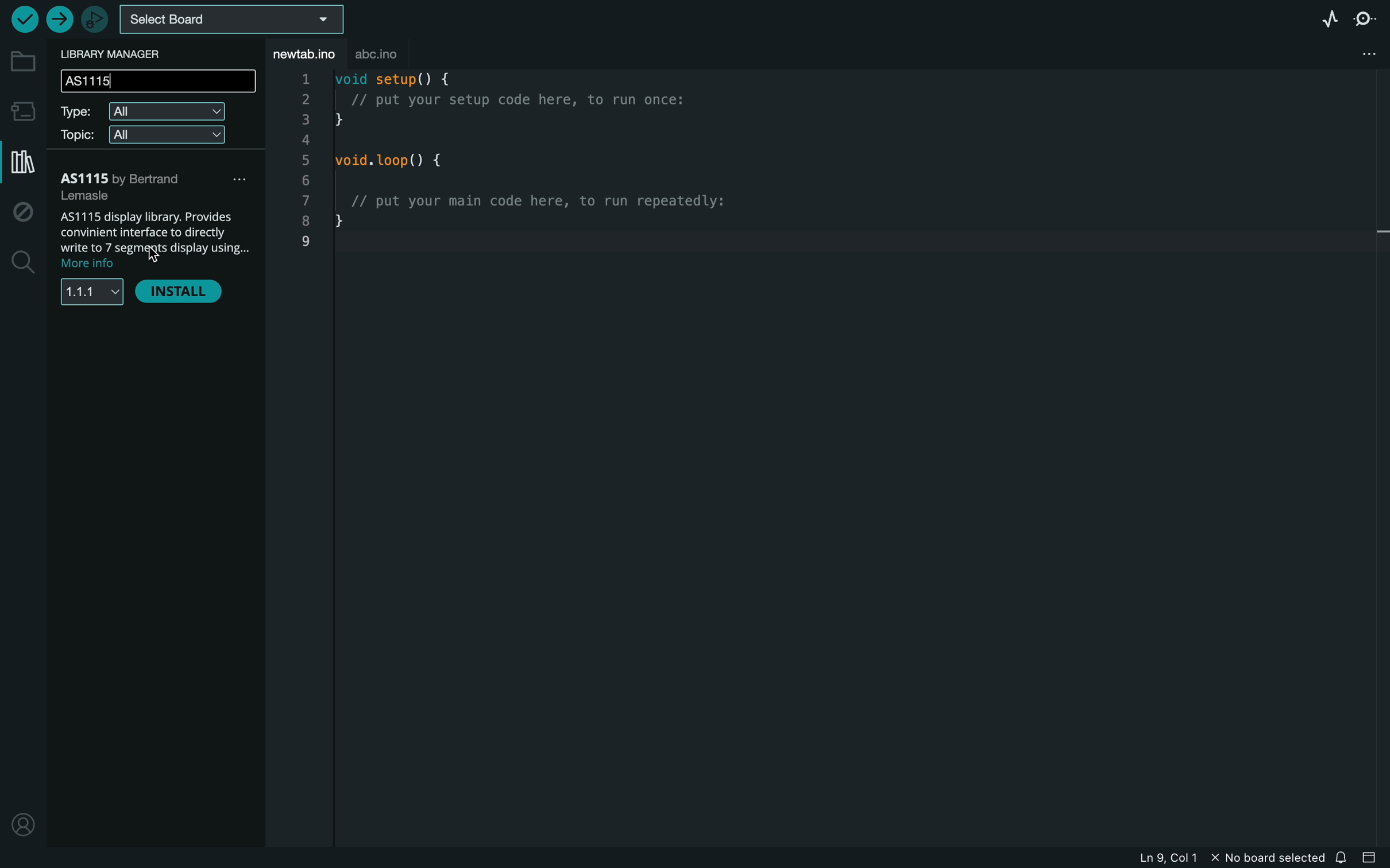 The height and width of the screenshot is (868, 1390). What do you see at coordinates (396, 49) in the screenshot?
I see `abc` at bounding box center [396, 49].